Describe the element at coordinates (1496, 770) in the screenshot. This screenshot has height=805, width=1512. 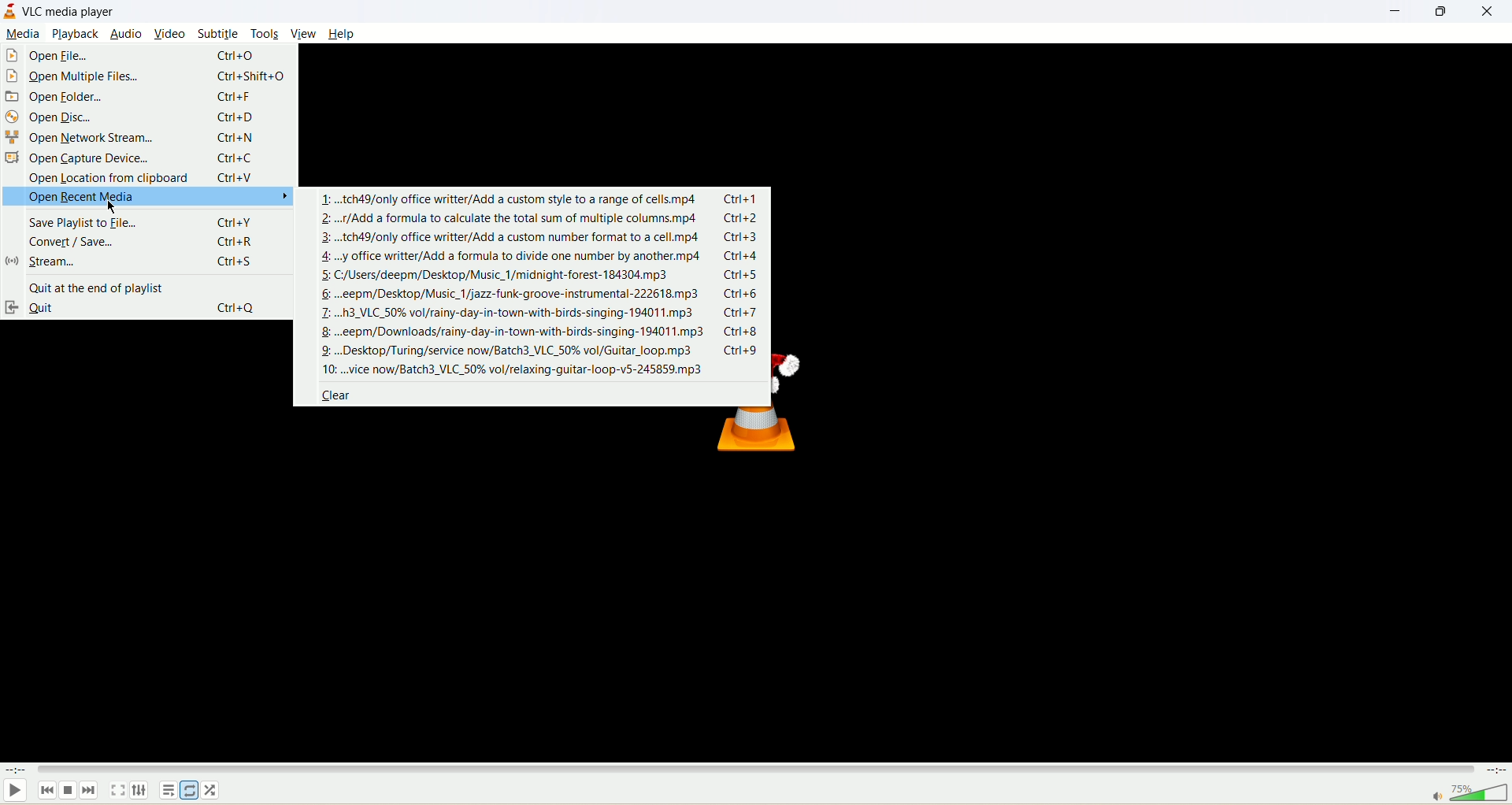
I see `time left` at that location.